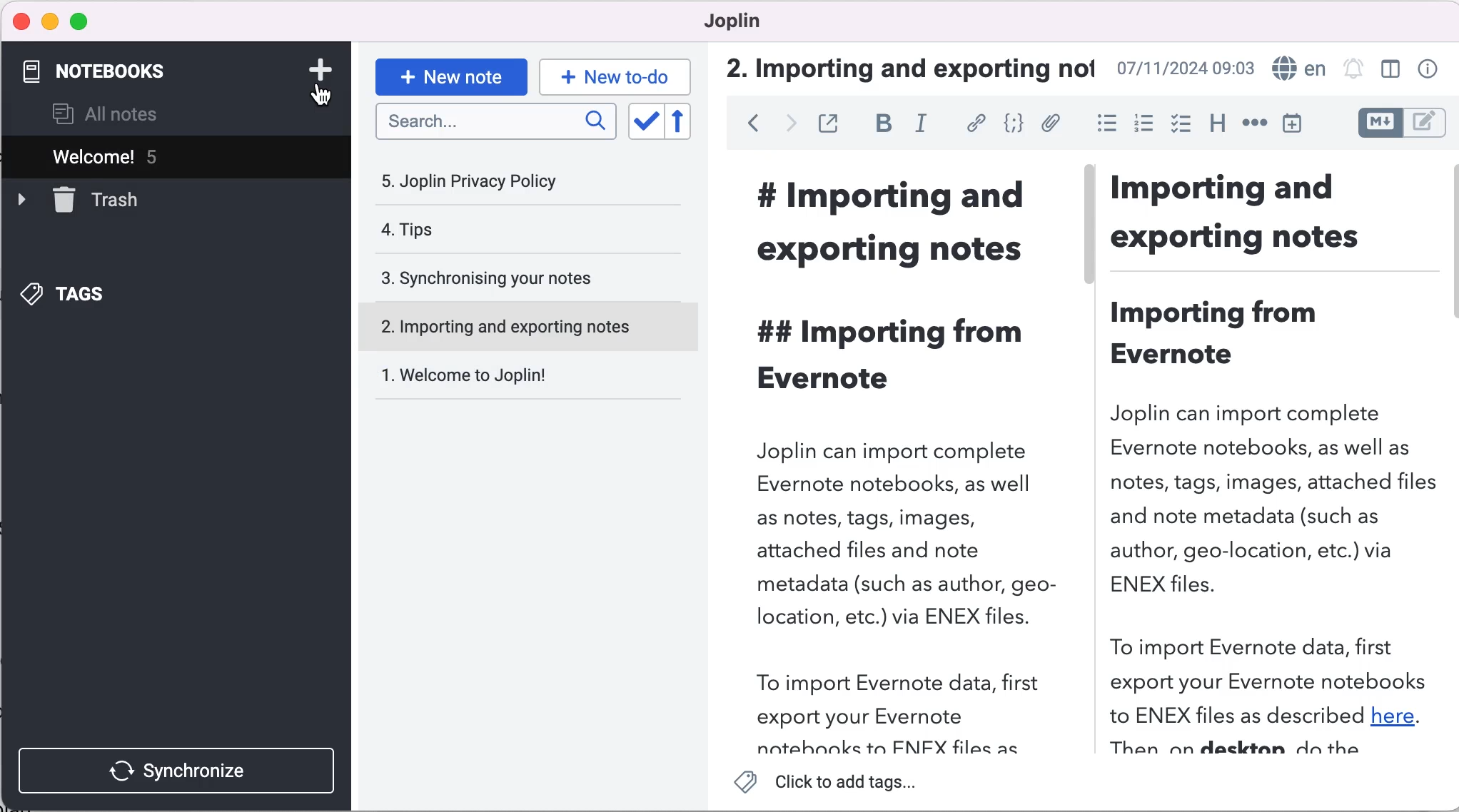 Image resolution: width=1459 pixels, height=812 pixels. What do you see at coordinates (836, 785) in the screenshot?
I see `click to add tags` at bounding box center [836, 785].